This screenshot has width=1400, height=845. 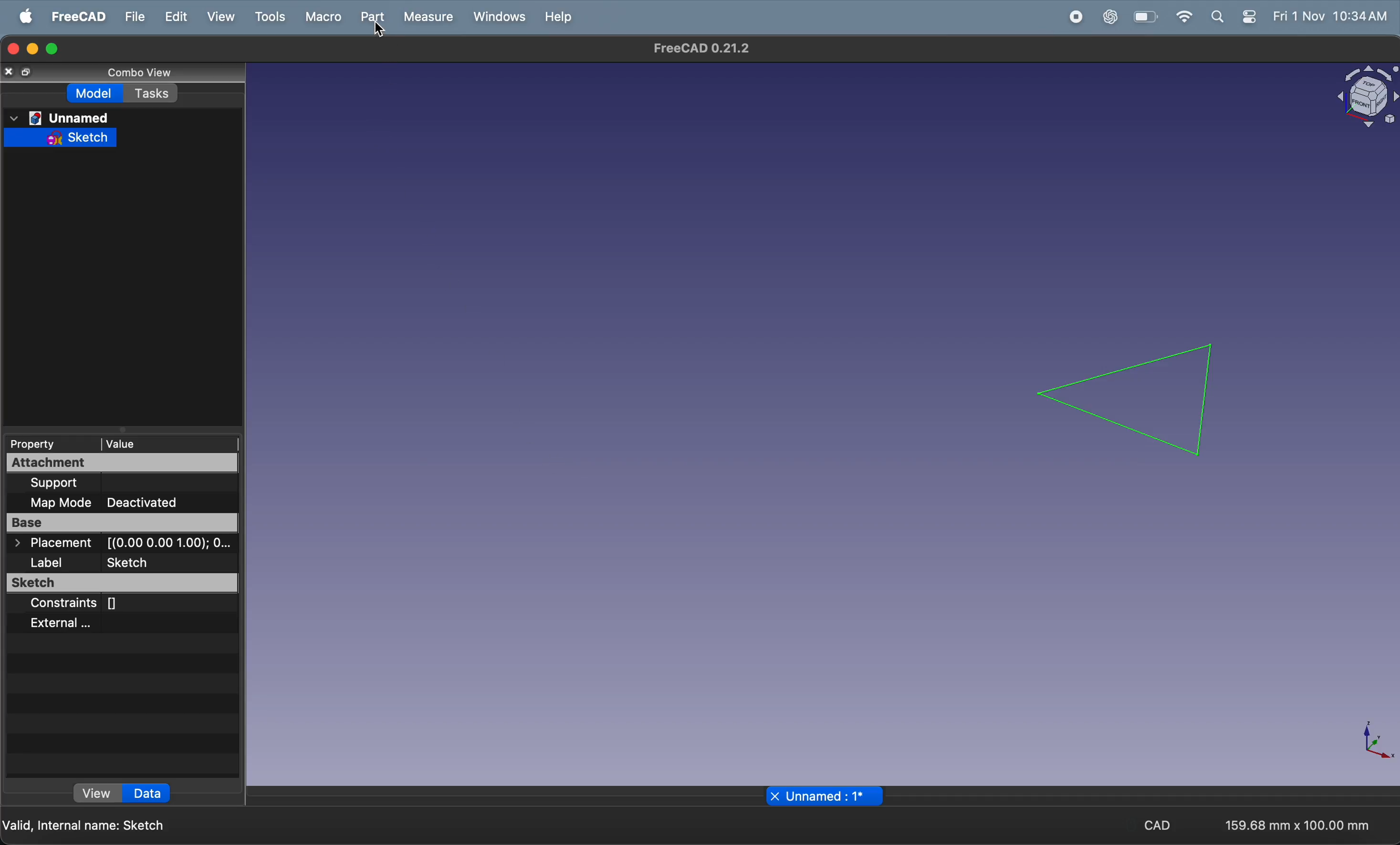 I want to click on place ment, so click(x=124, y=544).